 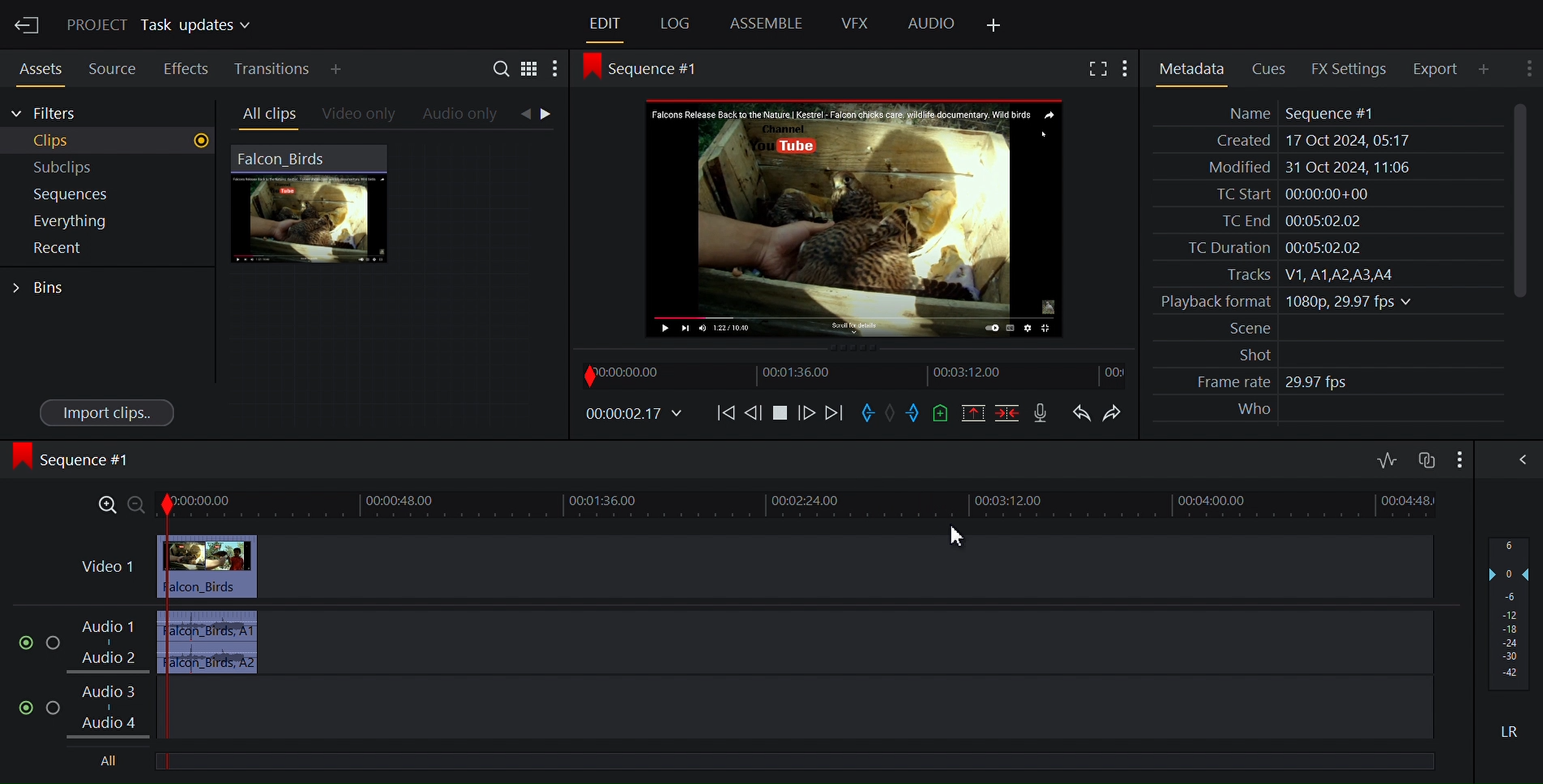 I want to click on Add Panel, so click(x=998, y=23).